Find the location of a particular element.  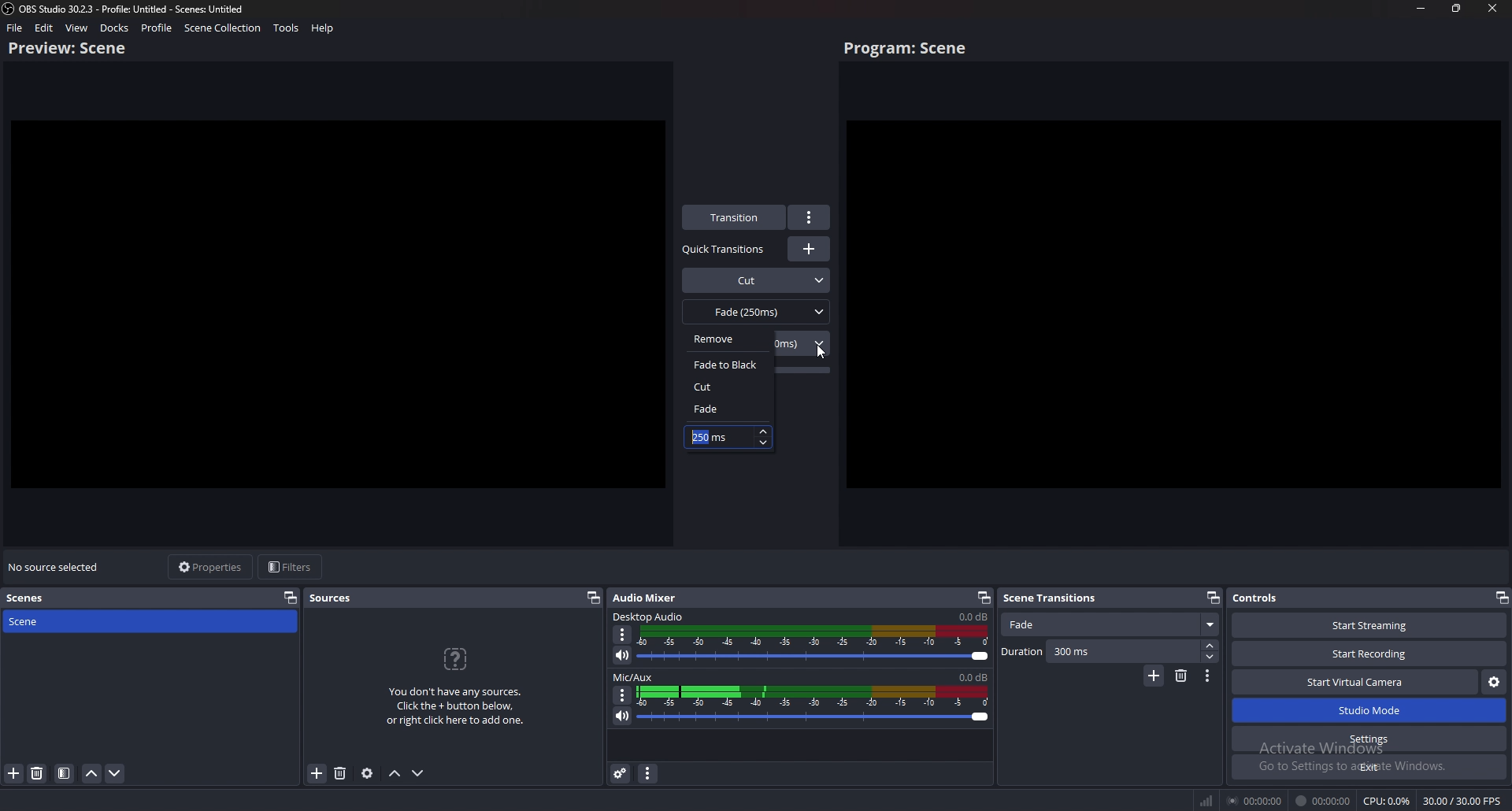

audio mixer menu is located at coordinates (649, 774).